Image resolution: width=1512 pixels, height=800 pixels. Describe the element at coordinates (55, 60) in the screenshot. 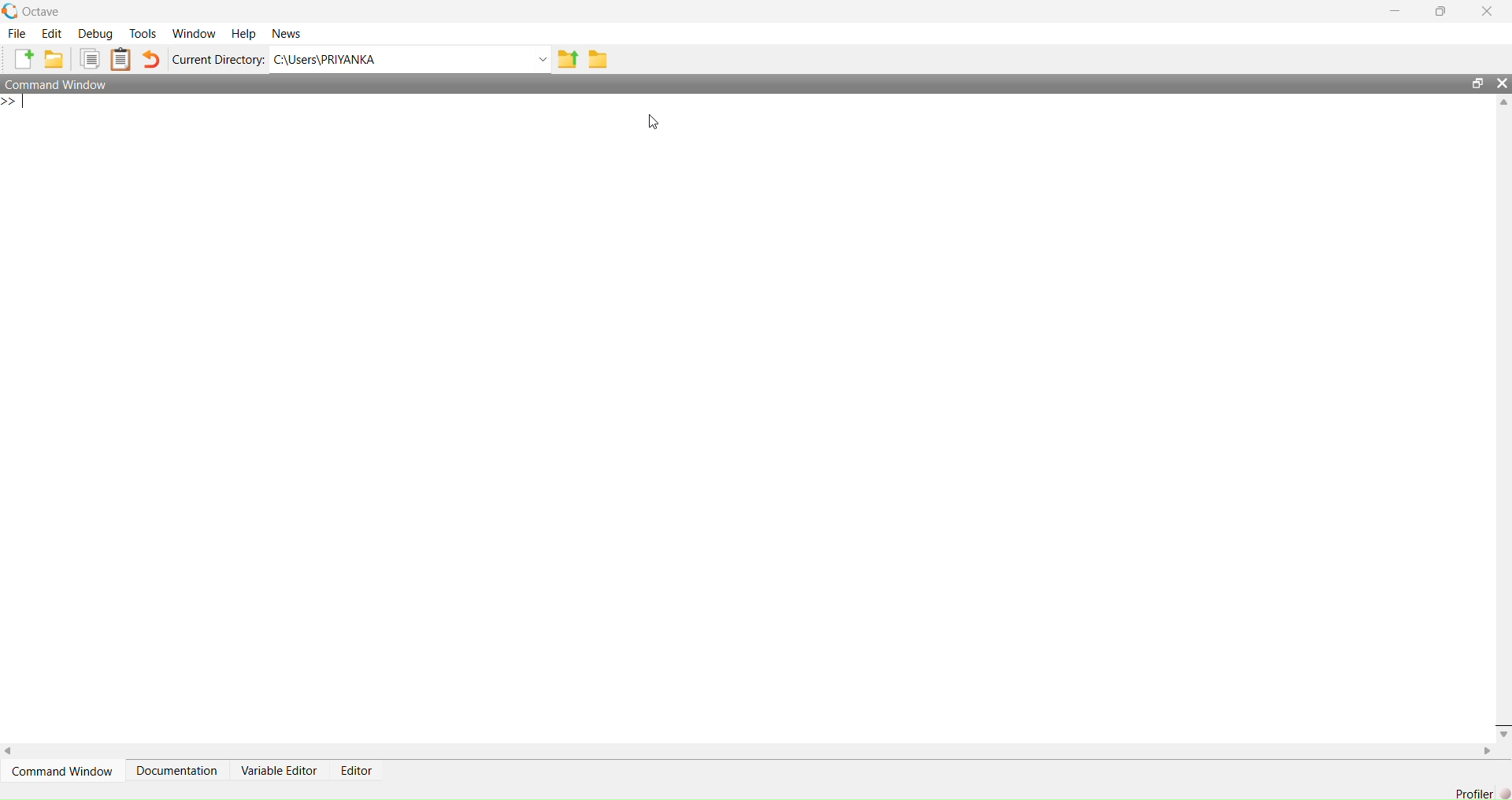

I see `Create Folder` at that location.